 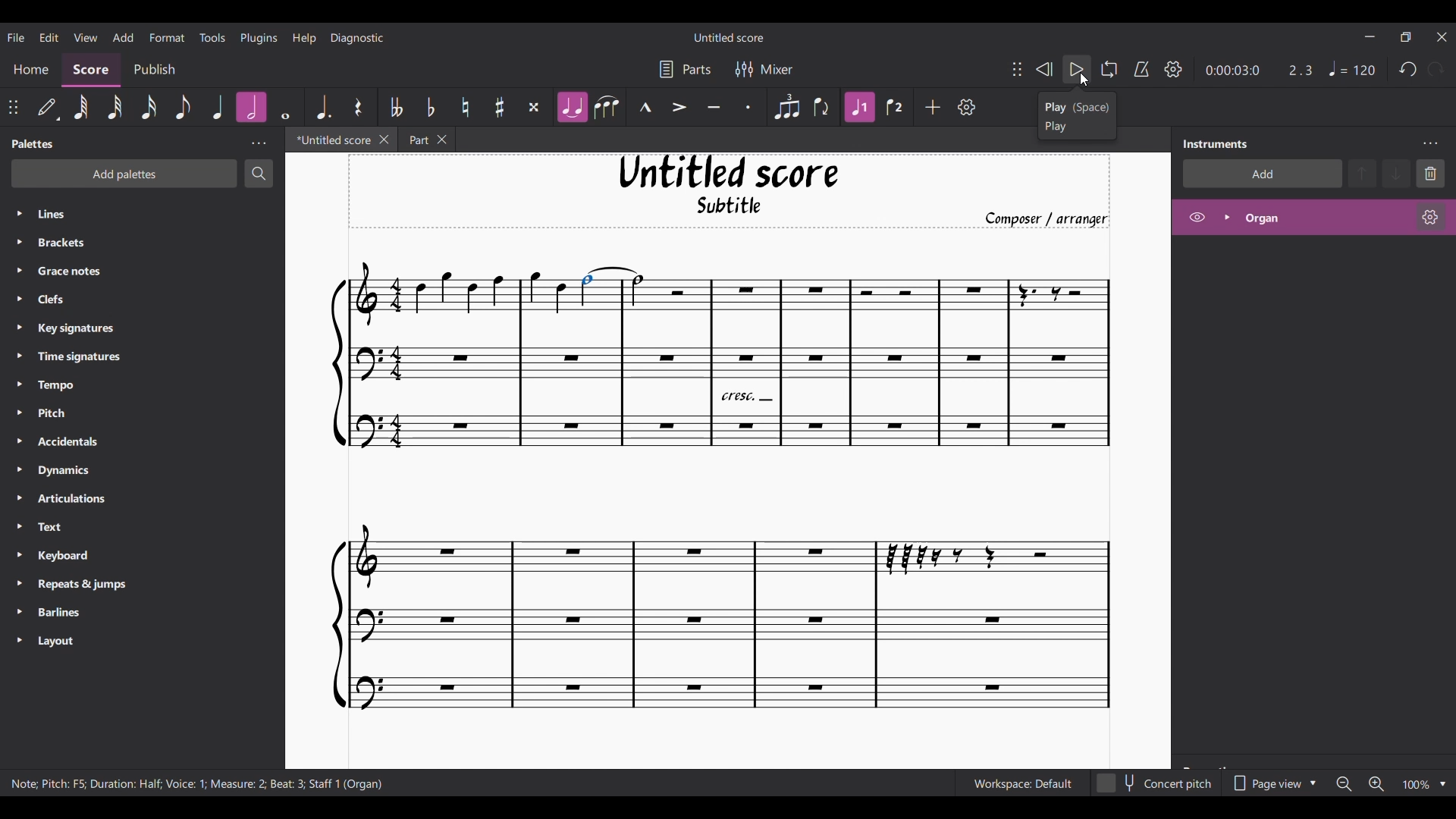 I want to click on View menu, so click(x=85, y=36).